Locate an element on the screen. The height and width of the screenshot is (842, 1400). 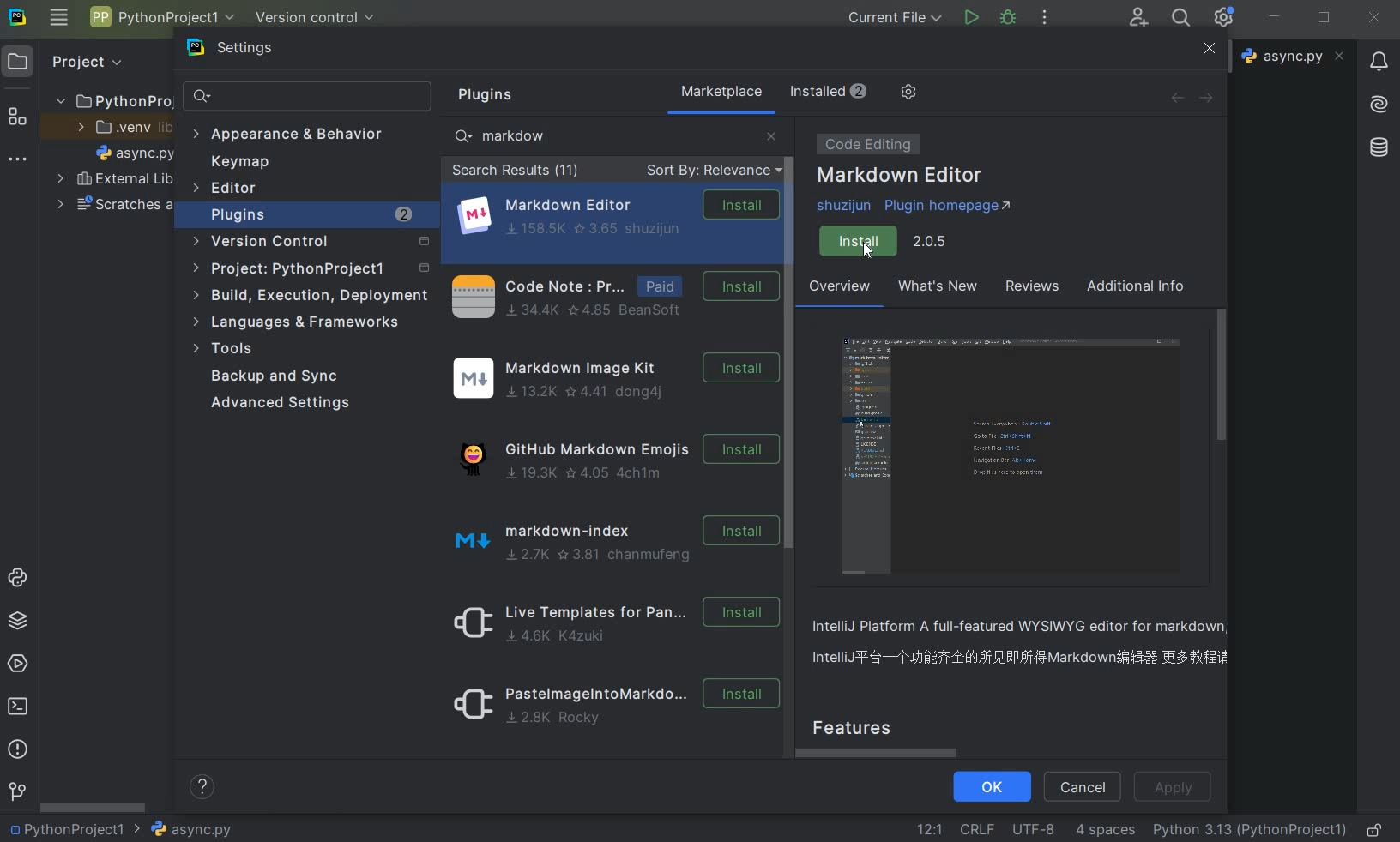
marketplace is located at coordinates (722, 92).